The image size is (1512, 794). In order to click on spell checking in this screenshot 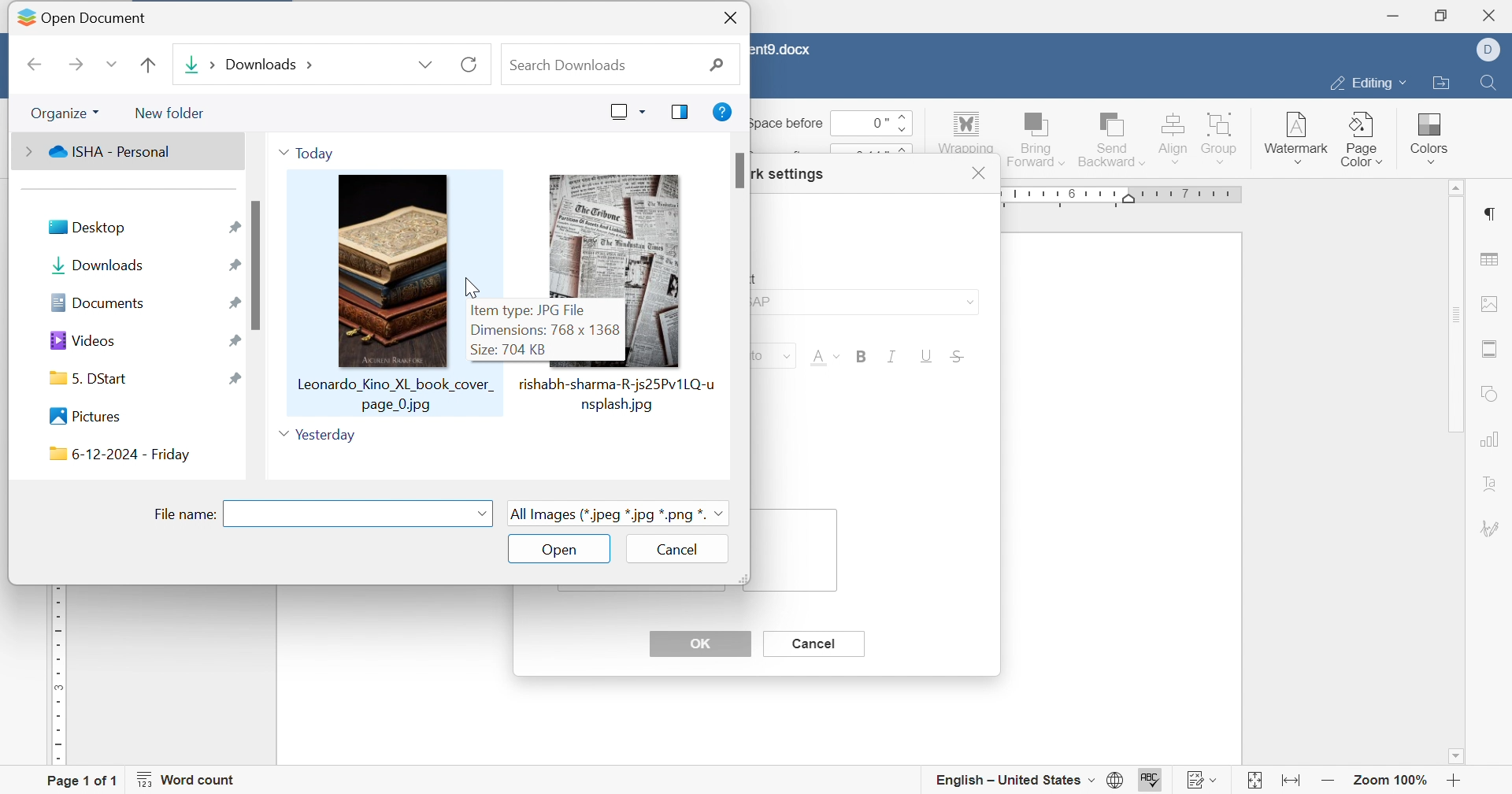, I will do `click(1152, 781)`.